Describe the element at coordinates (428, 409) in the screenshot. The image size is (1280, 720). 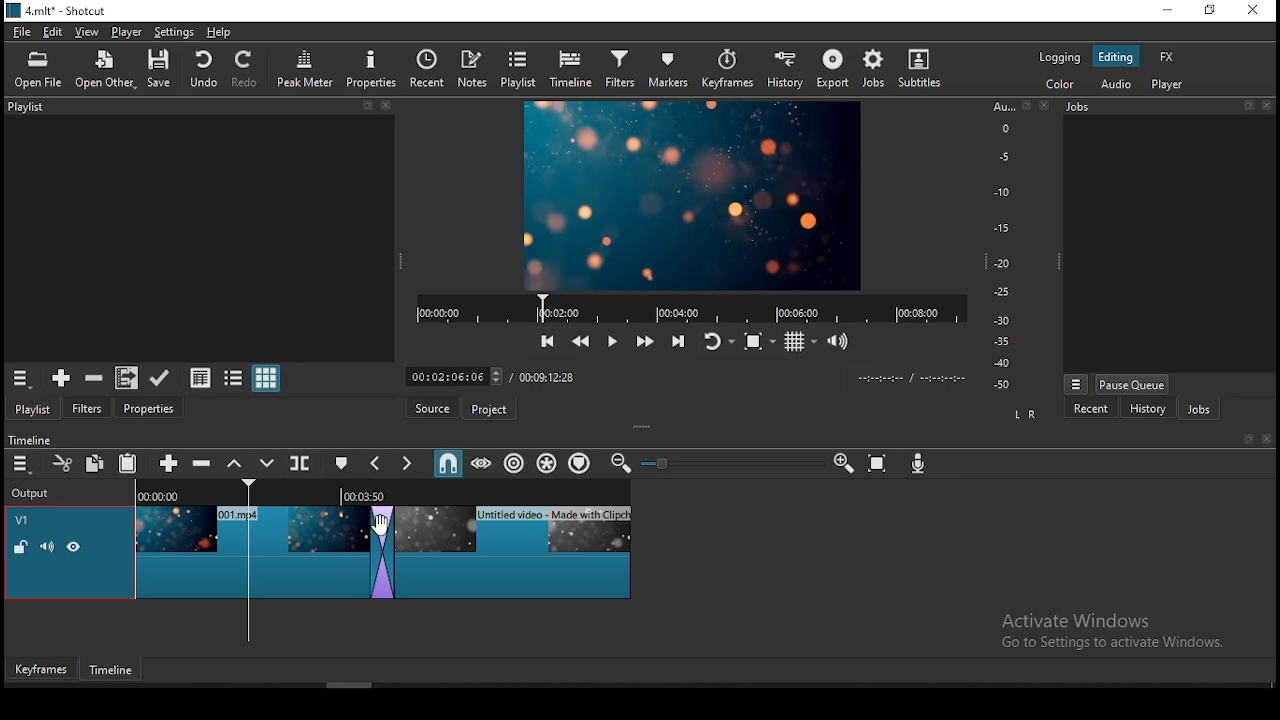
I see `source` at that location.